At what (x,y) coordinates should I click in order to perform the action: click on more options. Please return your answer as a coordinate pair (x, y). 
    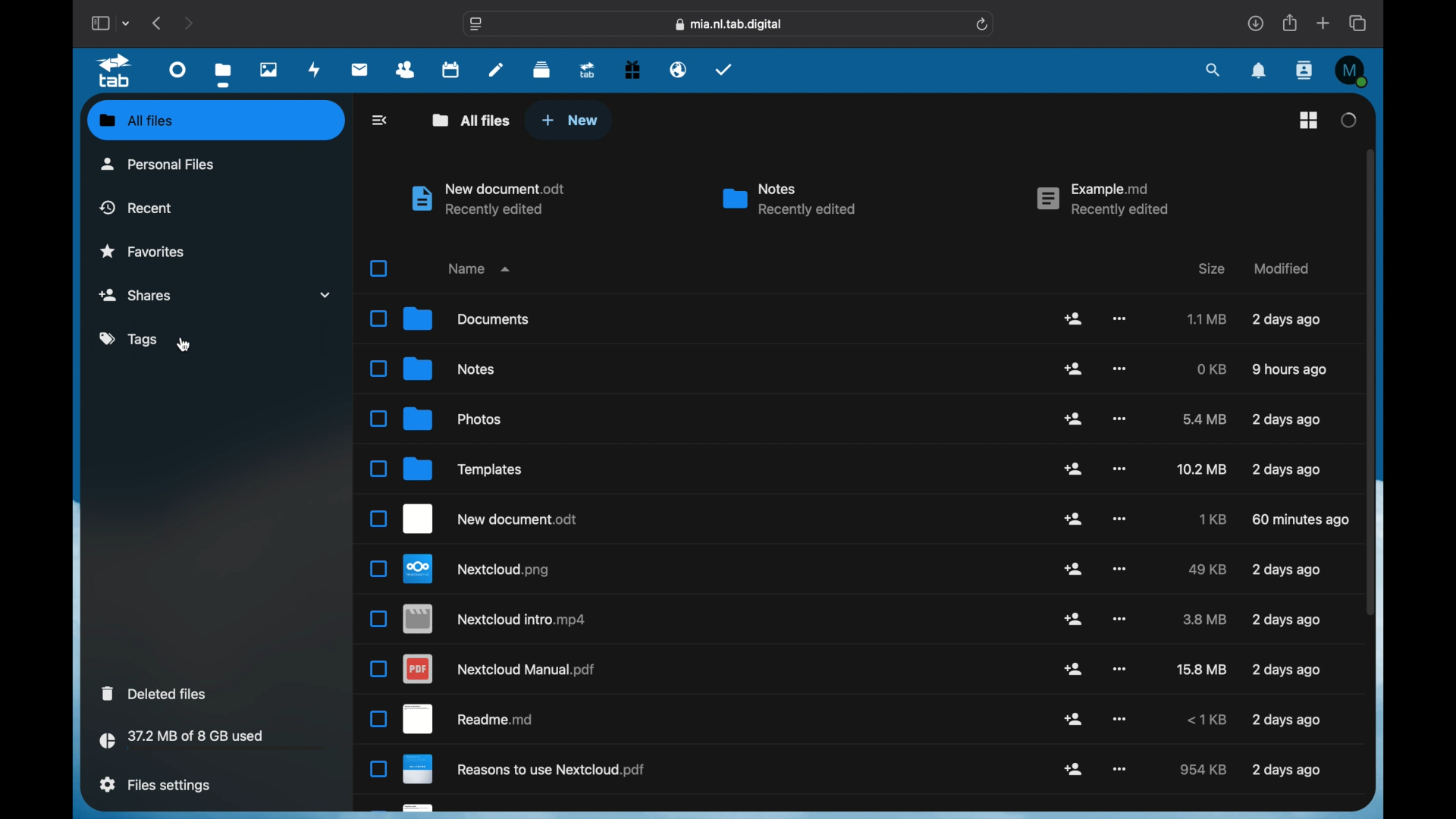
    Looking at the image, I should click on (1121, 319).